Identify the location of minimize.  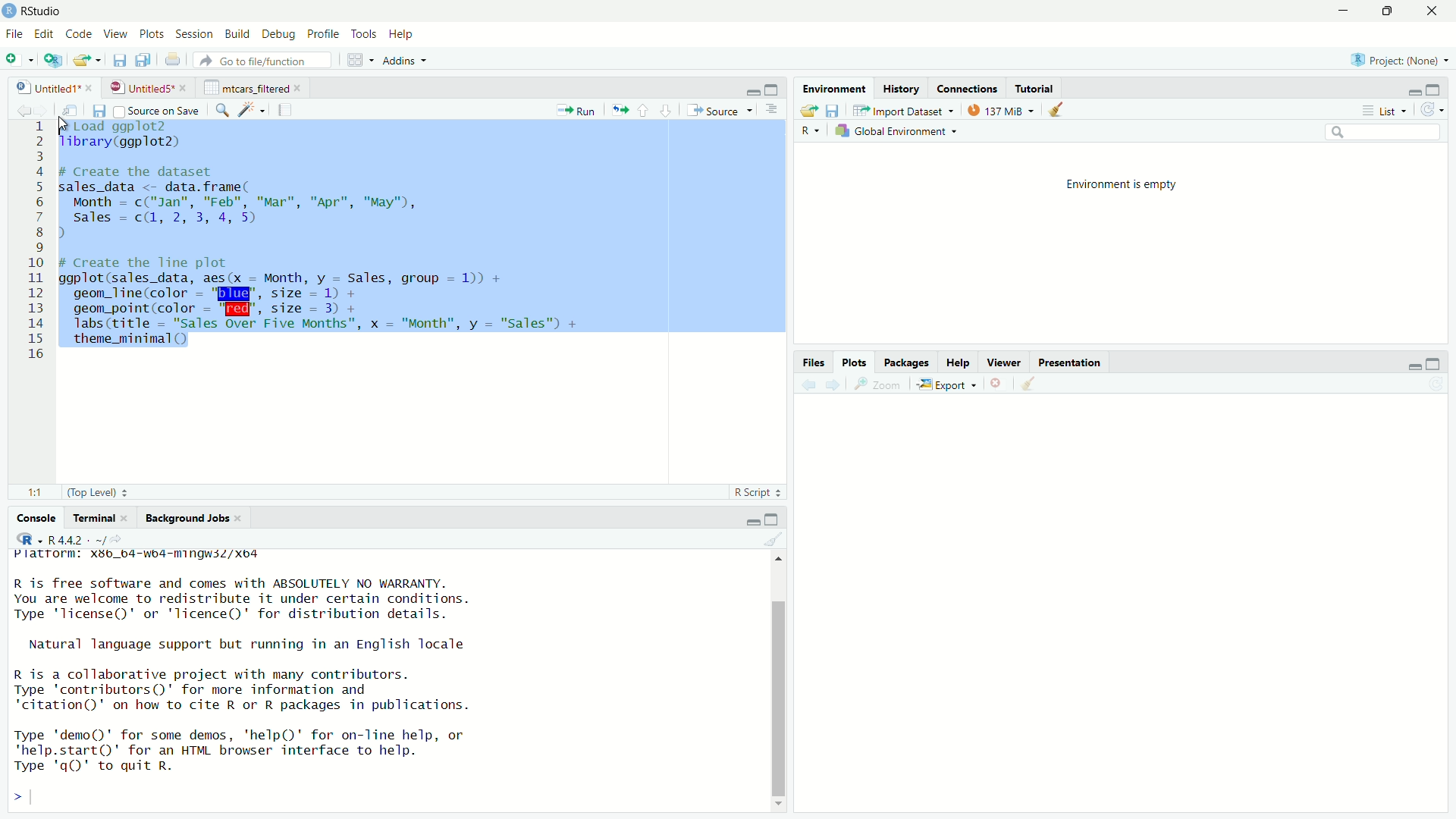
(1348, 10).